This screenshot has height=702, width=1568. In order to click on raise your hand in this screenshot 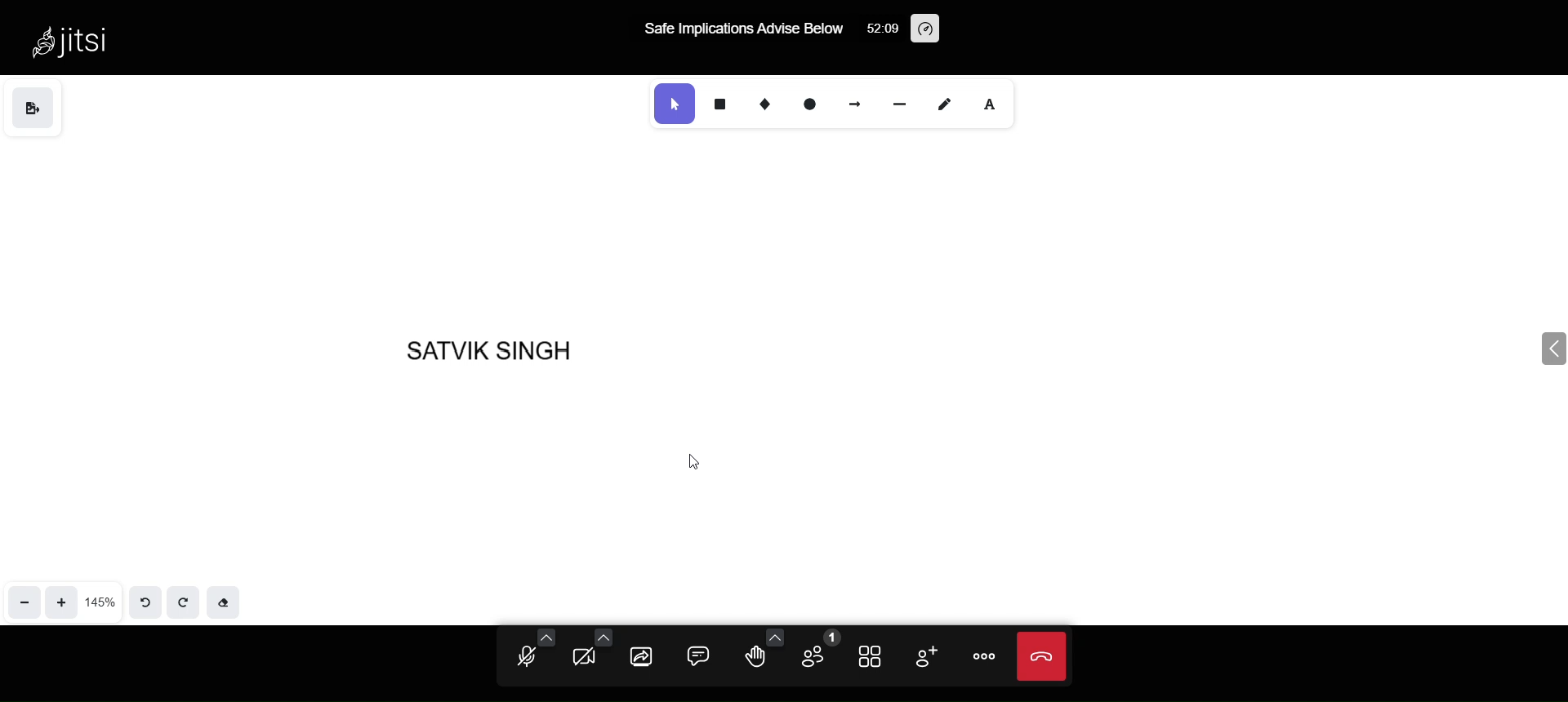, I will do `click(759, 654)`.